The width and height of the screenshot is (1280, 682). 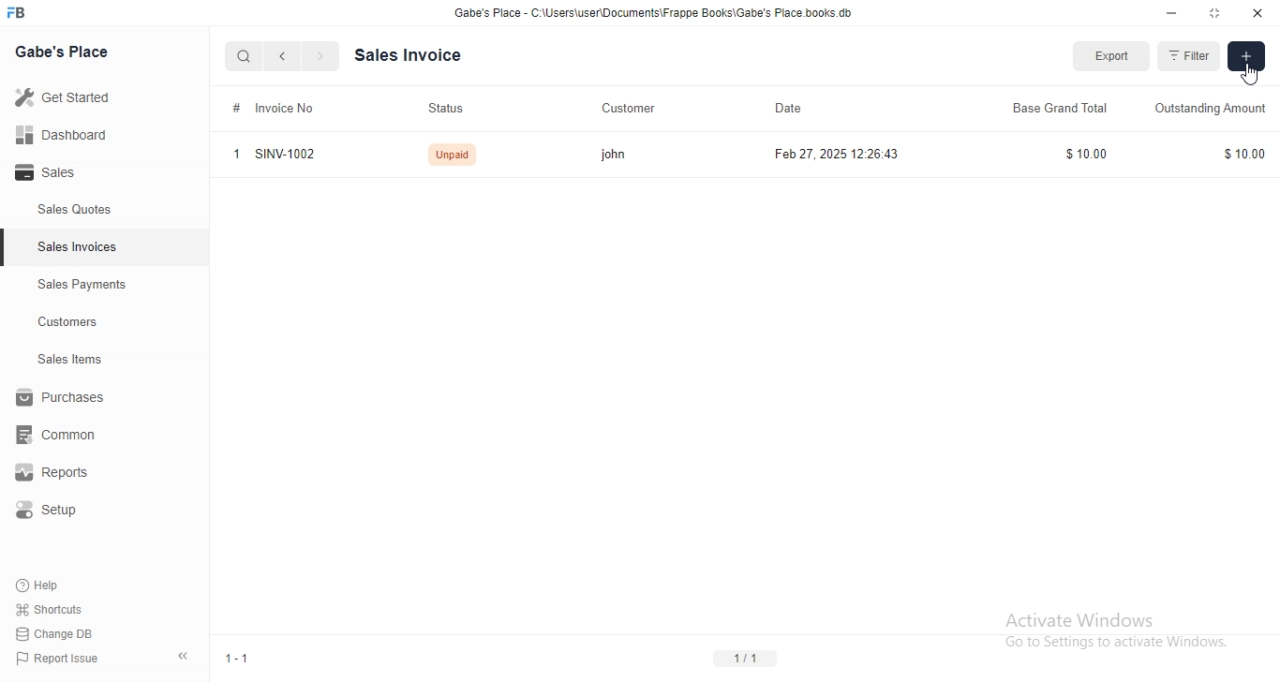 I want to click on 1/1, so click(x=752, y=656).